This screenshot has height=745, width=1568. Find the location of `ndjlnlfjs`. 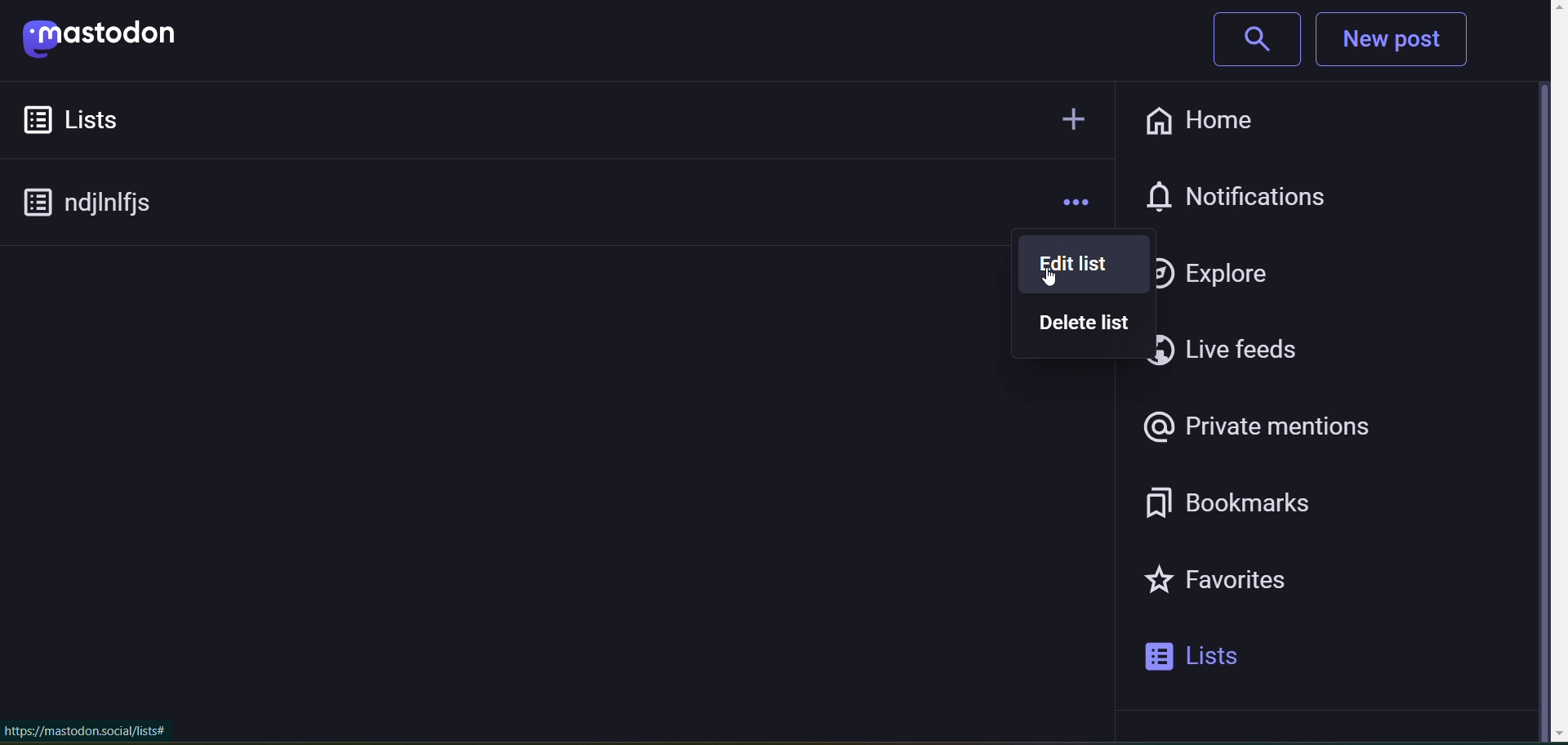

ndjlnlfjs is located at coordinates (102, 205).